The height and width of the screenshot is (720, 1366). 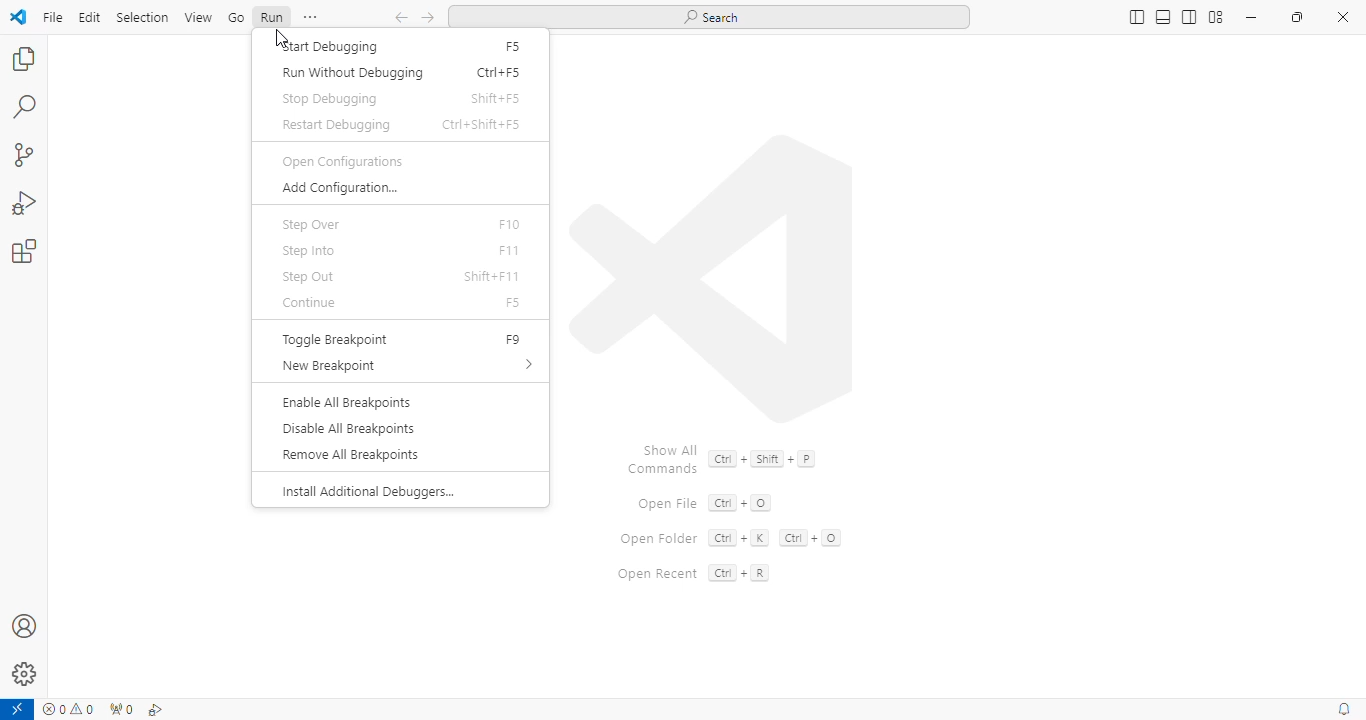 I want to click on new breakpoint, so click(x=408, y=366).